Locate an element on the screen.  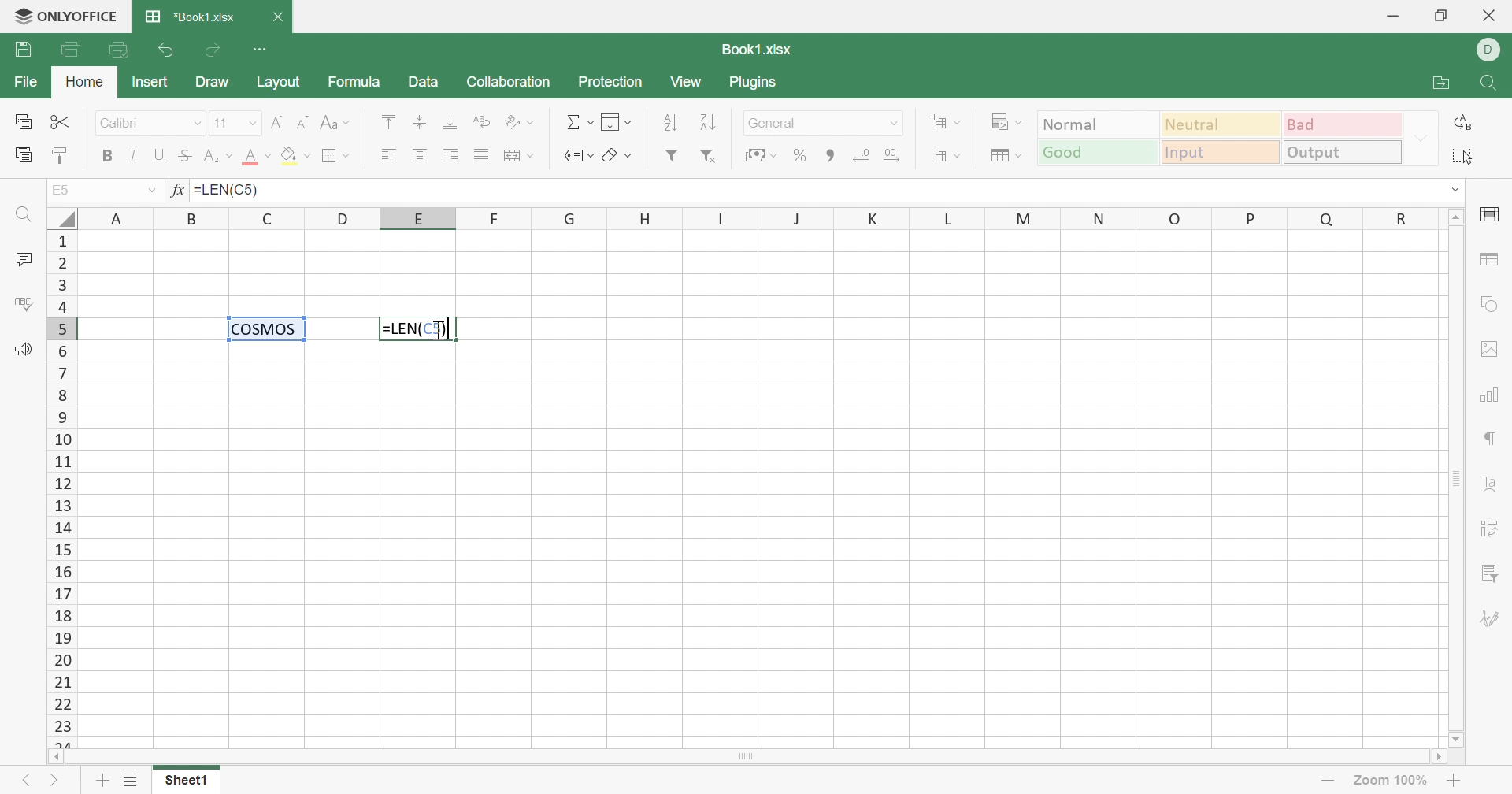
Bold is located at coordinates (106, 156).